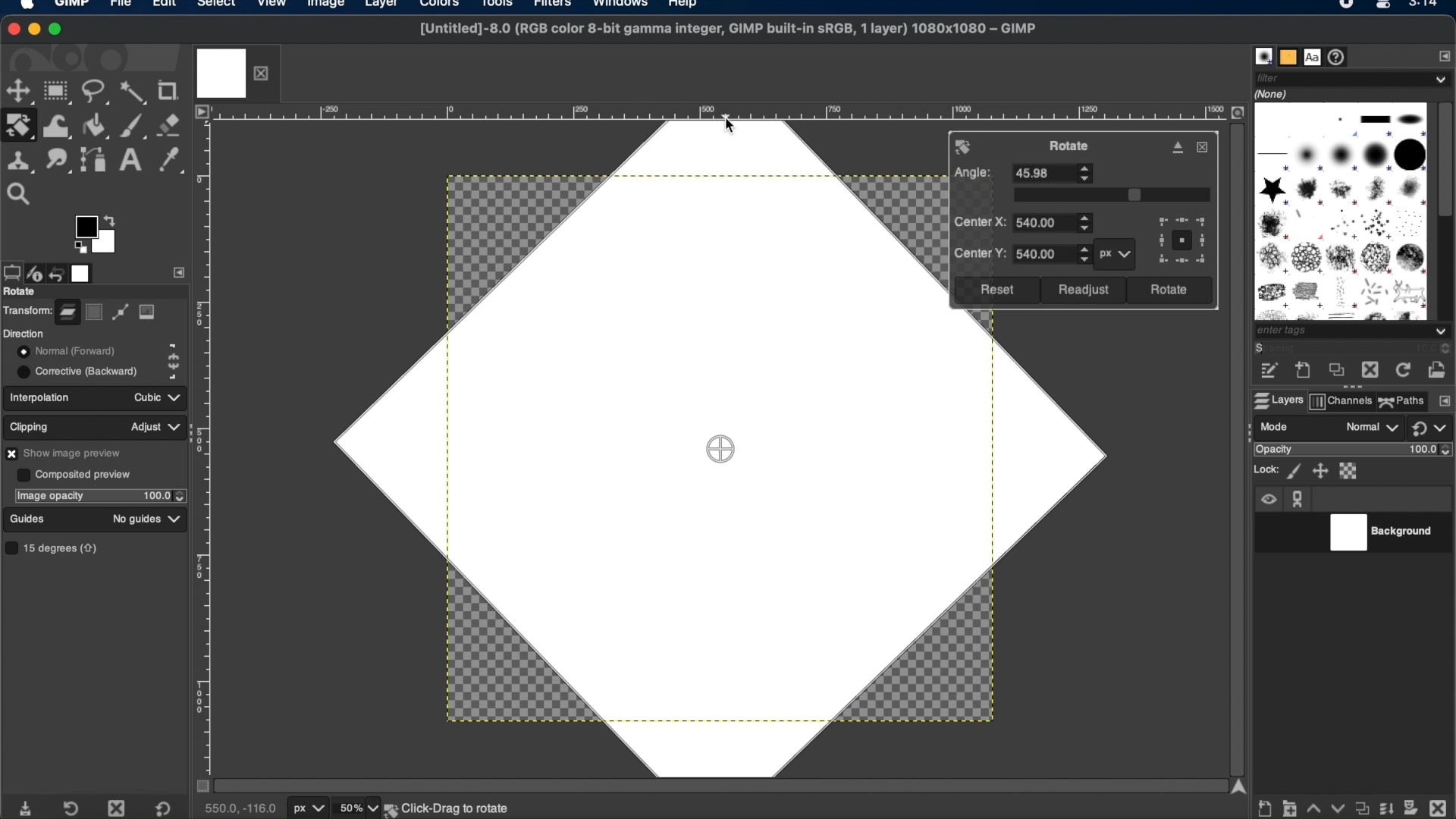 The image size is (1456, 819). I want to click on lock, so click(1264, 469).